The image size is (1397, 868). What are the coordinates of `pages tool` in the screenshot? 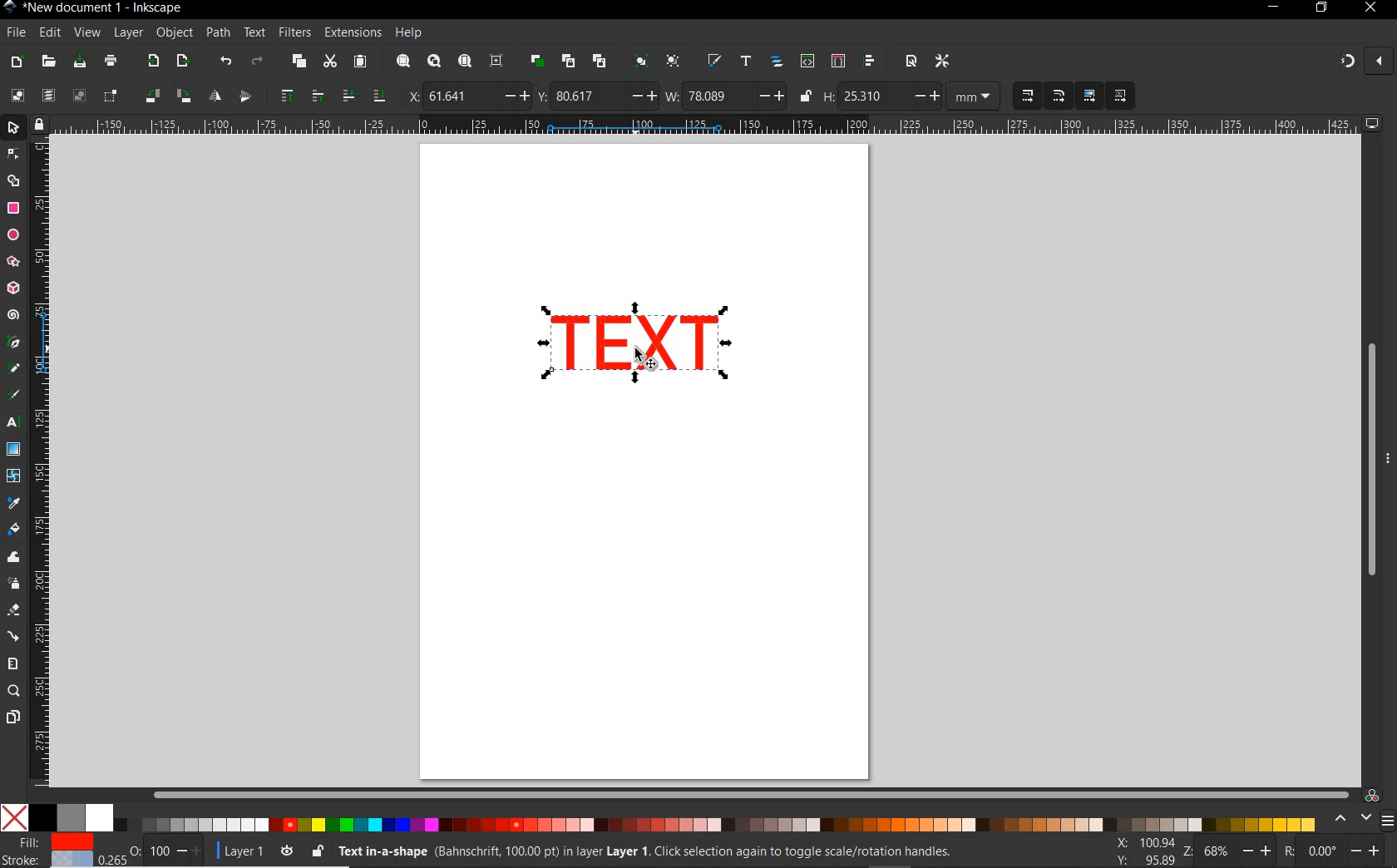 It's located at (12, 718).